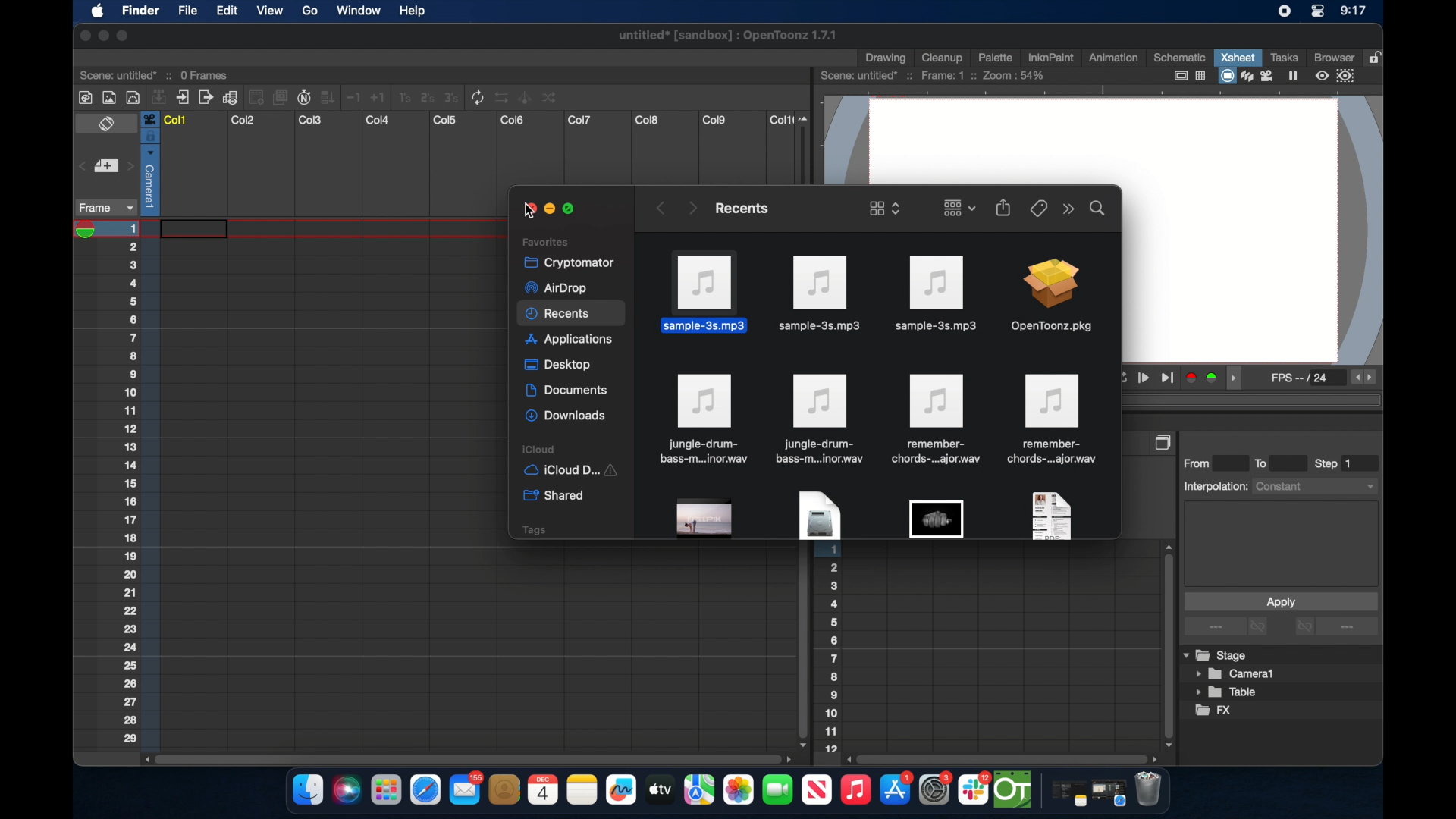  What do you see at coordinates (570, 341) in the screenshot?
I see `applications` at bounding box center [570, 341].